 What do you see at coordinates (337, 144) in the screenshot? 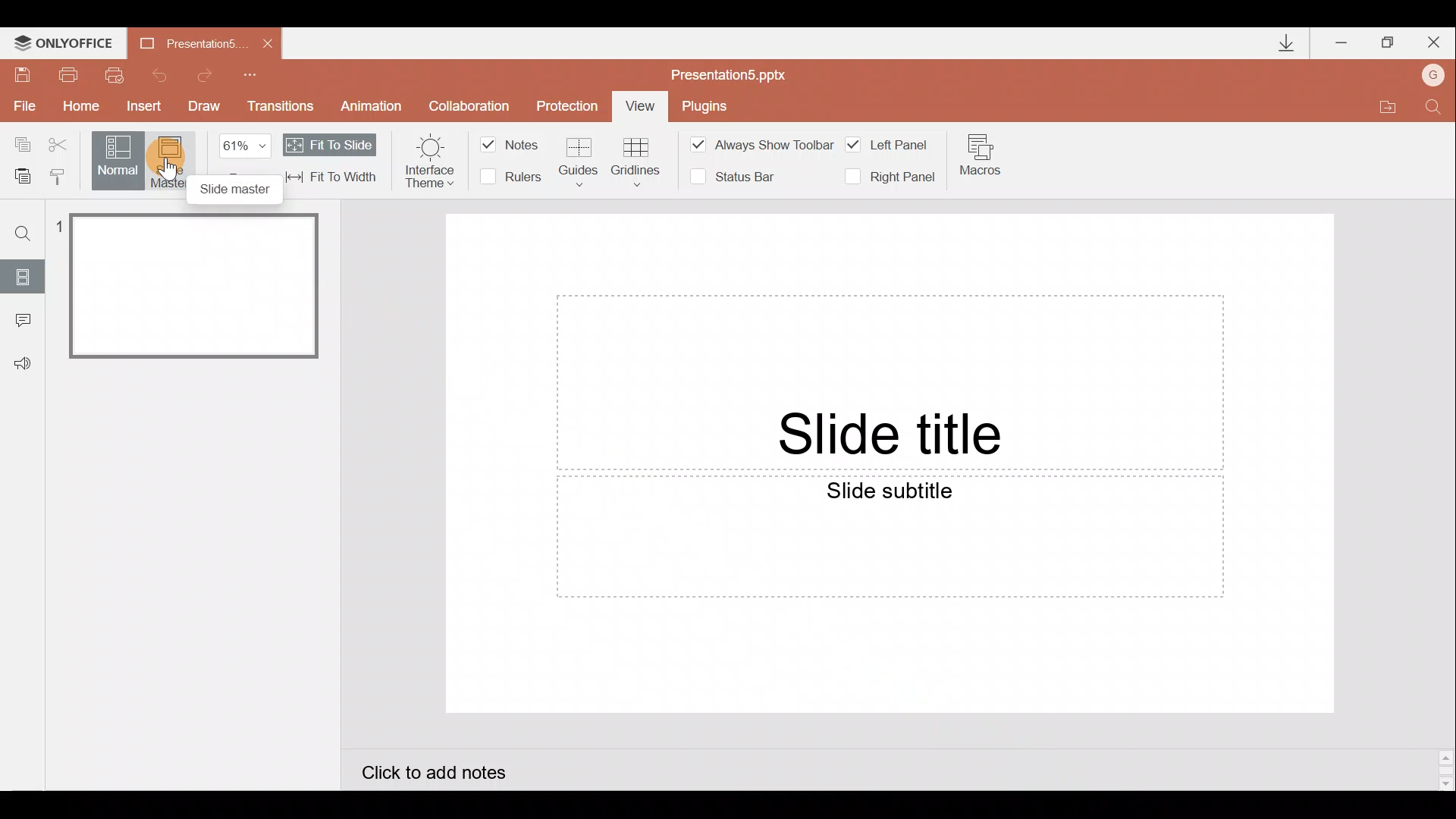
I see `Fit to slide` at bounding box center [337, 144].